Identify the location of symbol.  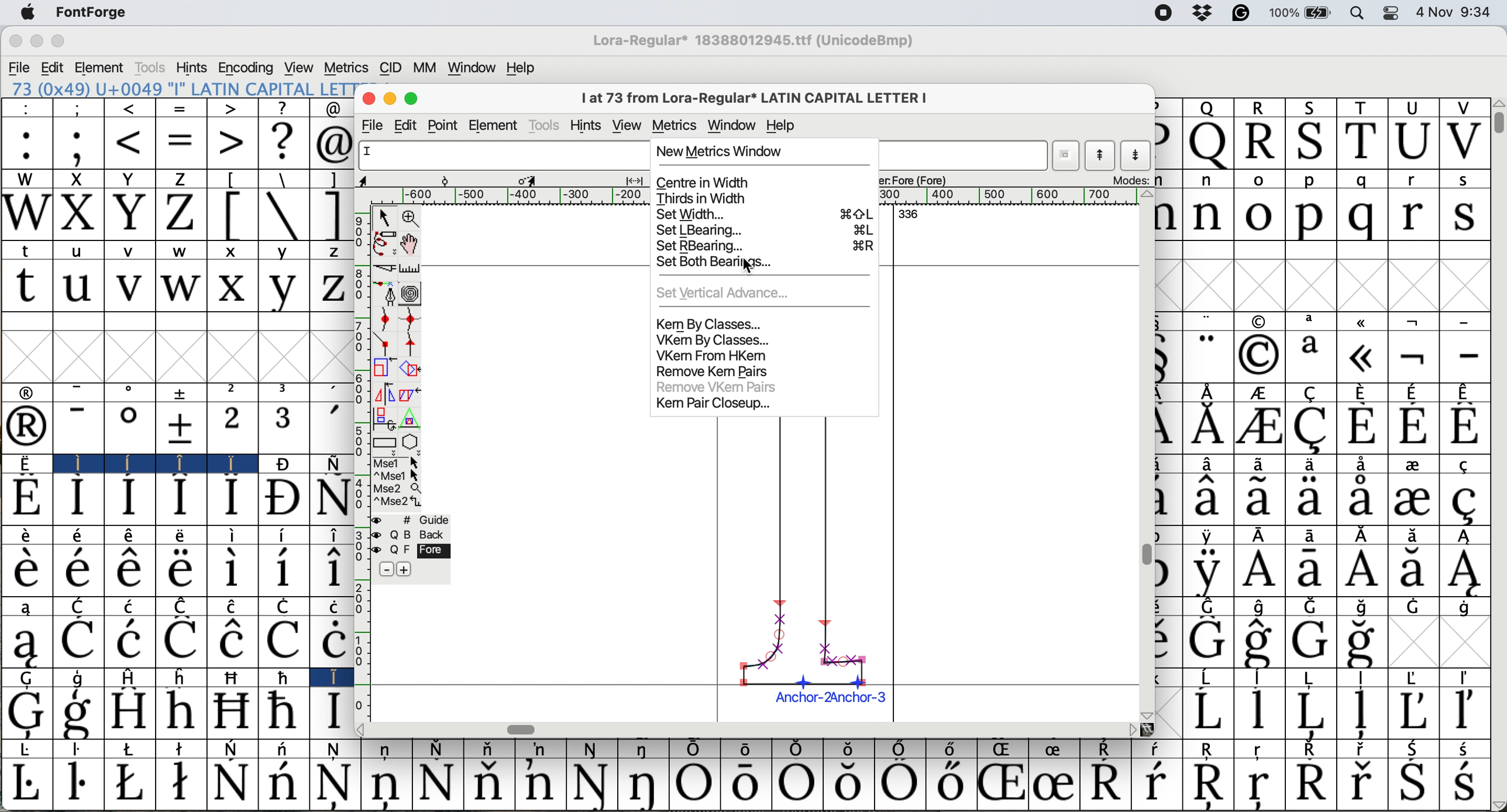
(1209, 391).